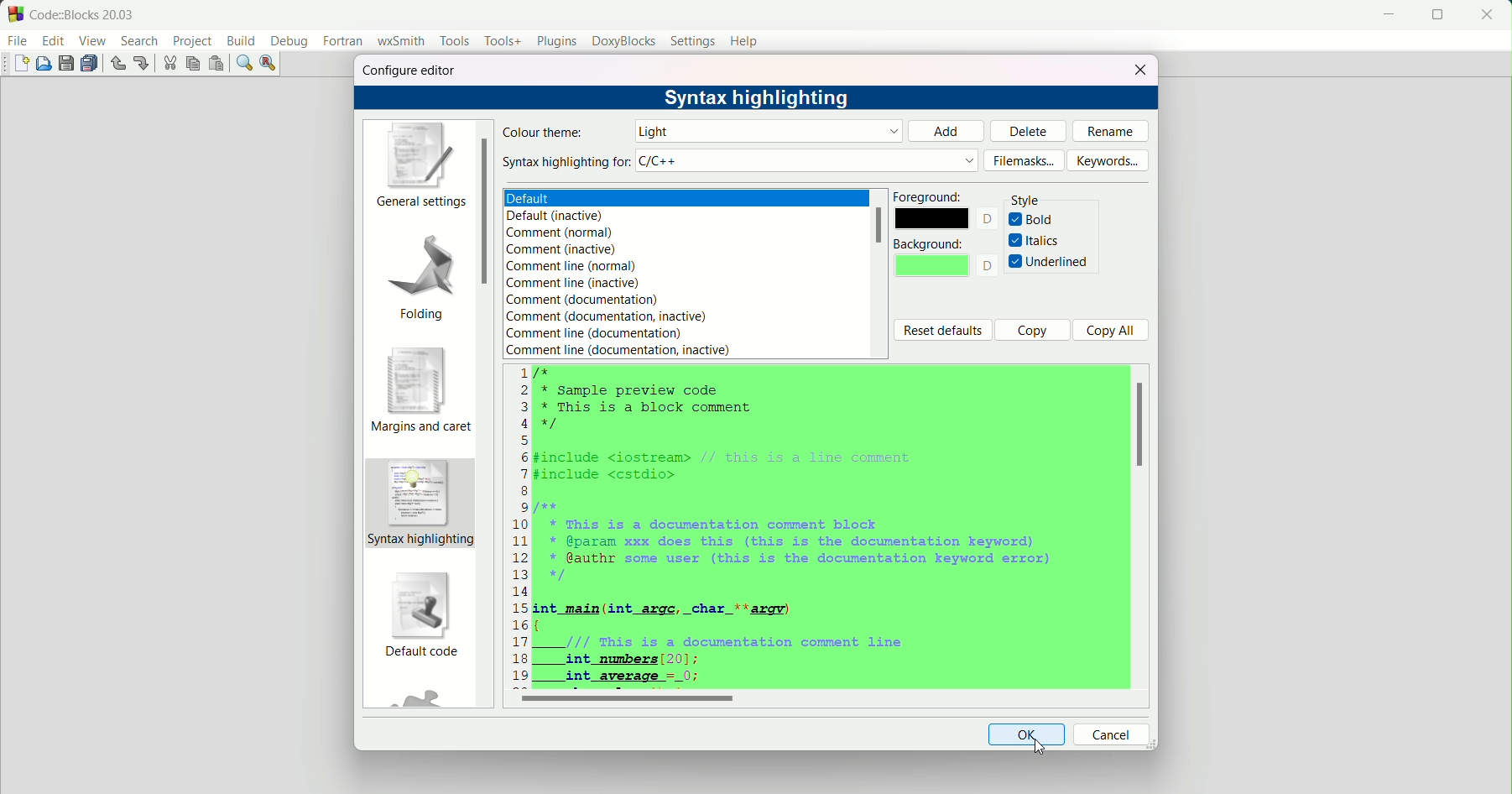 This screenshot has width=1512, height=794. What do you see at coordinates (1107, 130) in the screenshot?
I see `rename` at bounding box center [1107, 130].